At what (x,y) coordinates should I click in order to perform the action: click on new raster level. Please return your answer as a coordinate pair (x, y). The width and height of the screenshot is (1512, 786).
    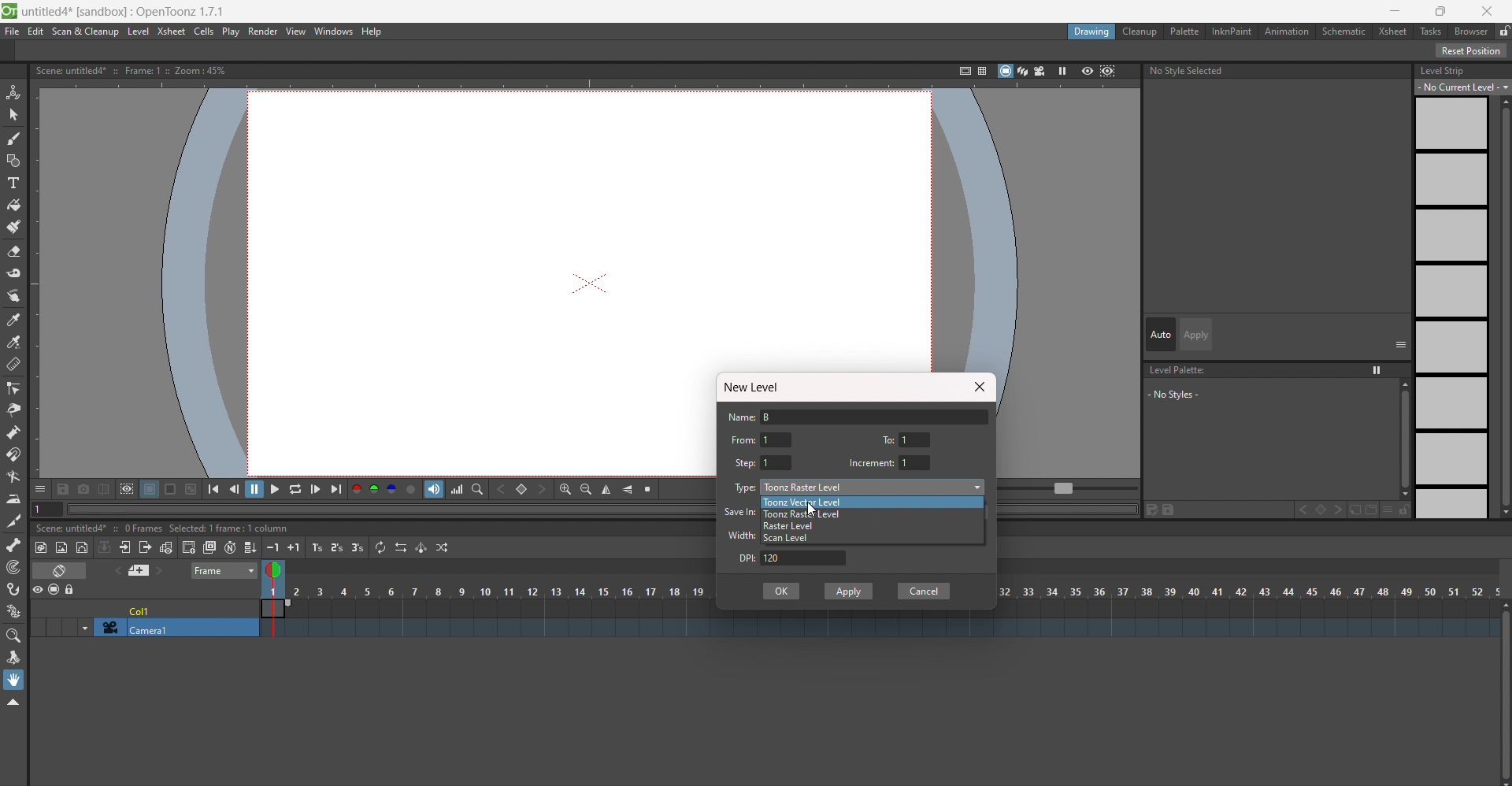
    Looking at the image, I should click on (62, 549).